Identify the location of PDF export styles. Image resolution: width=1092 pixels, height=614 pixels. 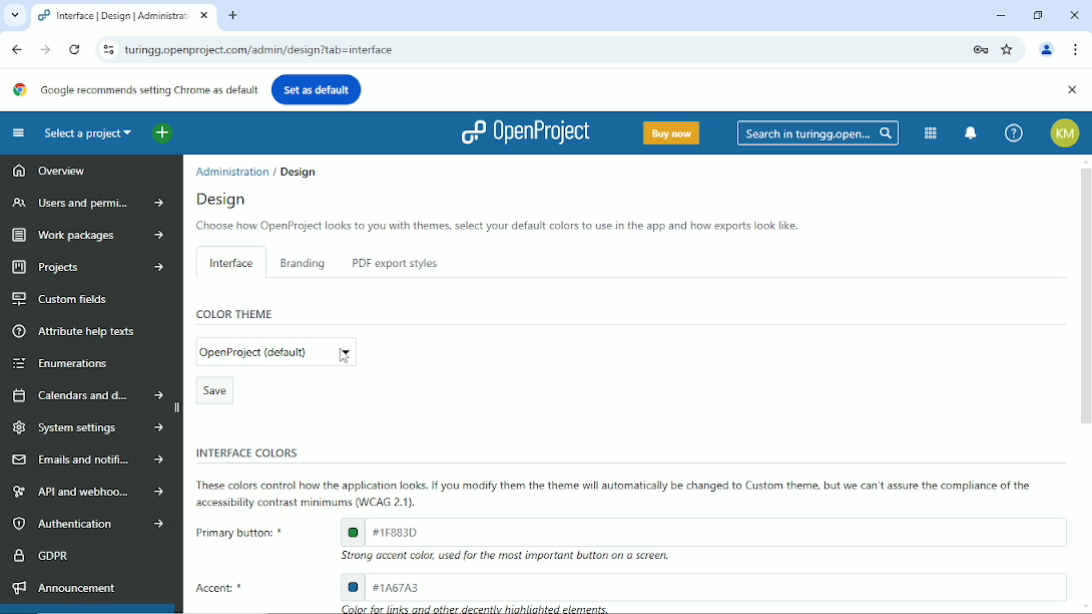
(392, 264).